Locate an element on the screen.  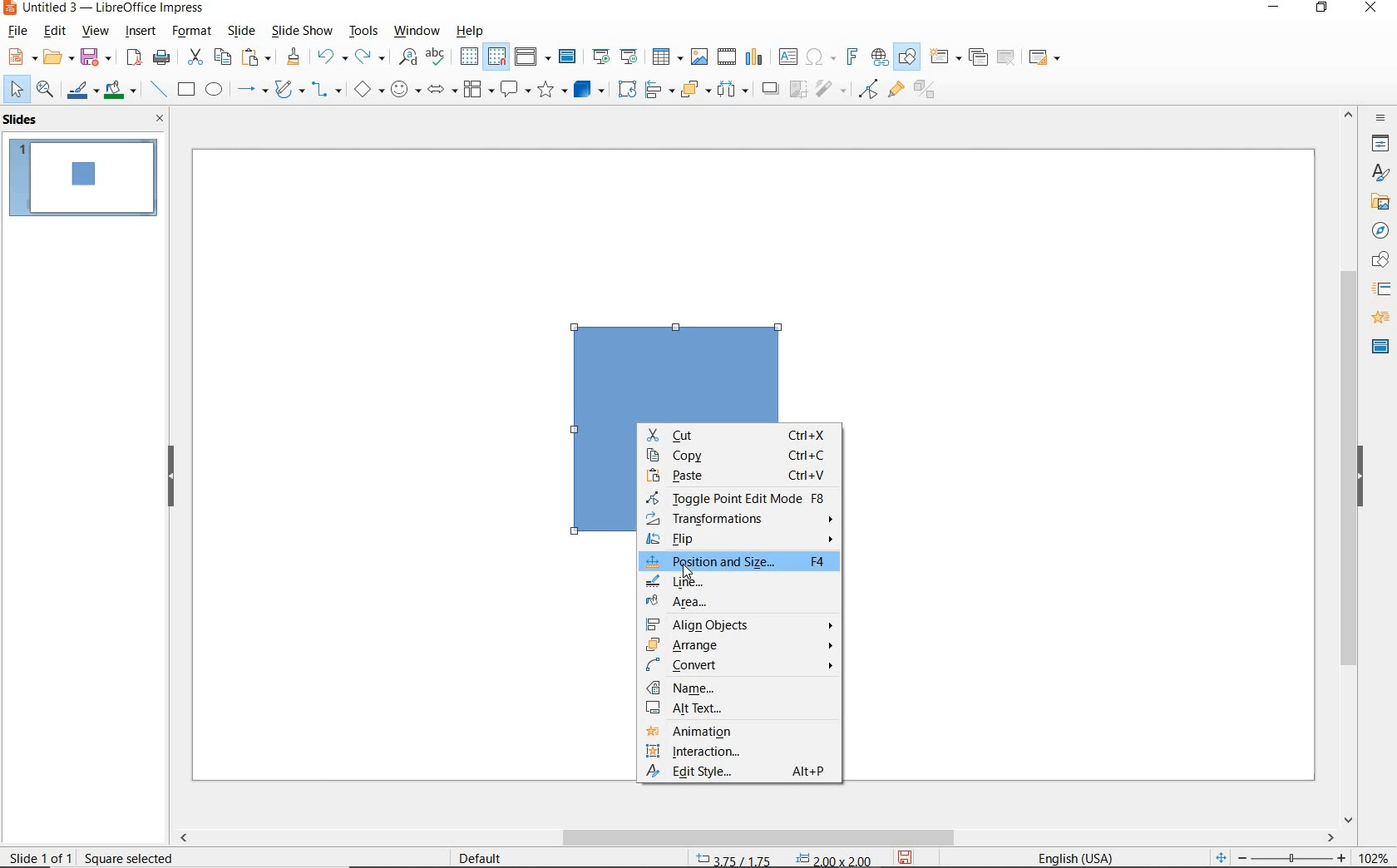
basic shapes is located at coordinates (367, 89).